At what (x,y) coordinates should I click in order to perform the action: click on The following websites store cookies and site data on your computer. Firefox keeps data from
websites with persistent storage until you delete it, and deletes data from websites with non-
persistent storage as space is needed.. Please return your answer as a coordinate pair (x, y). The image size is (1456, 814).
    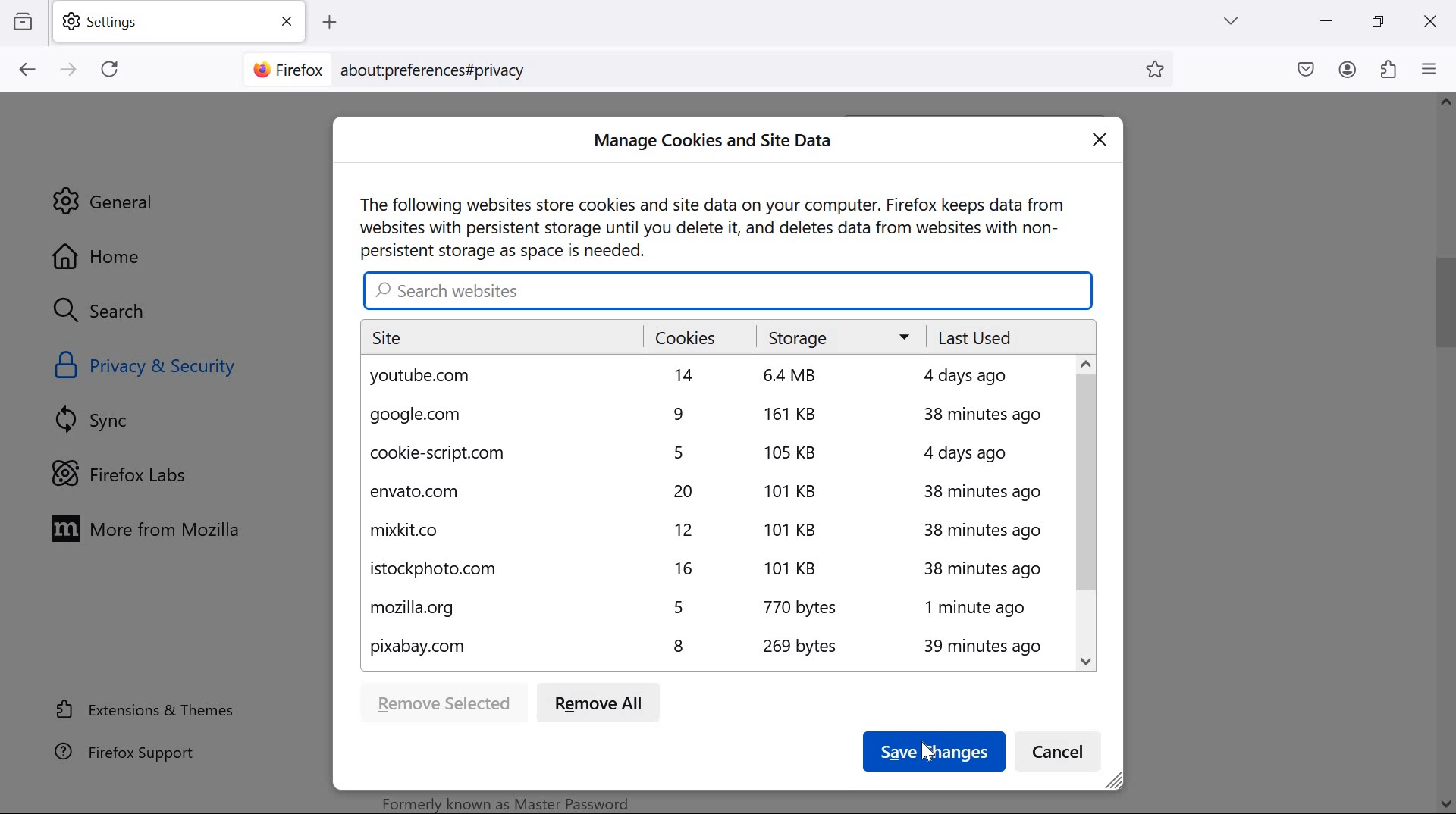
    Looking at the image, I should click on (714, 224).